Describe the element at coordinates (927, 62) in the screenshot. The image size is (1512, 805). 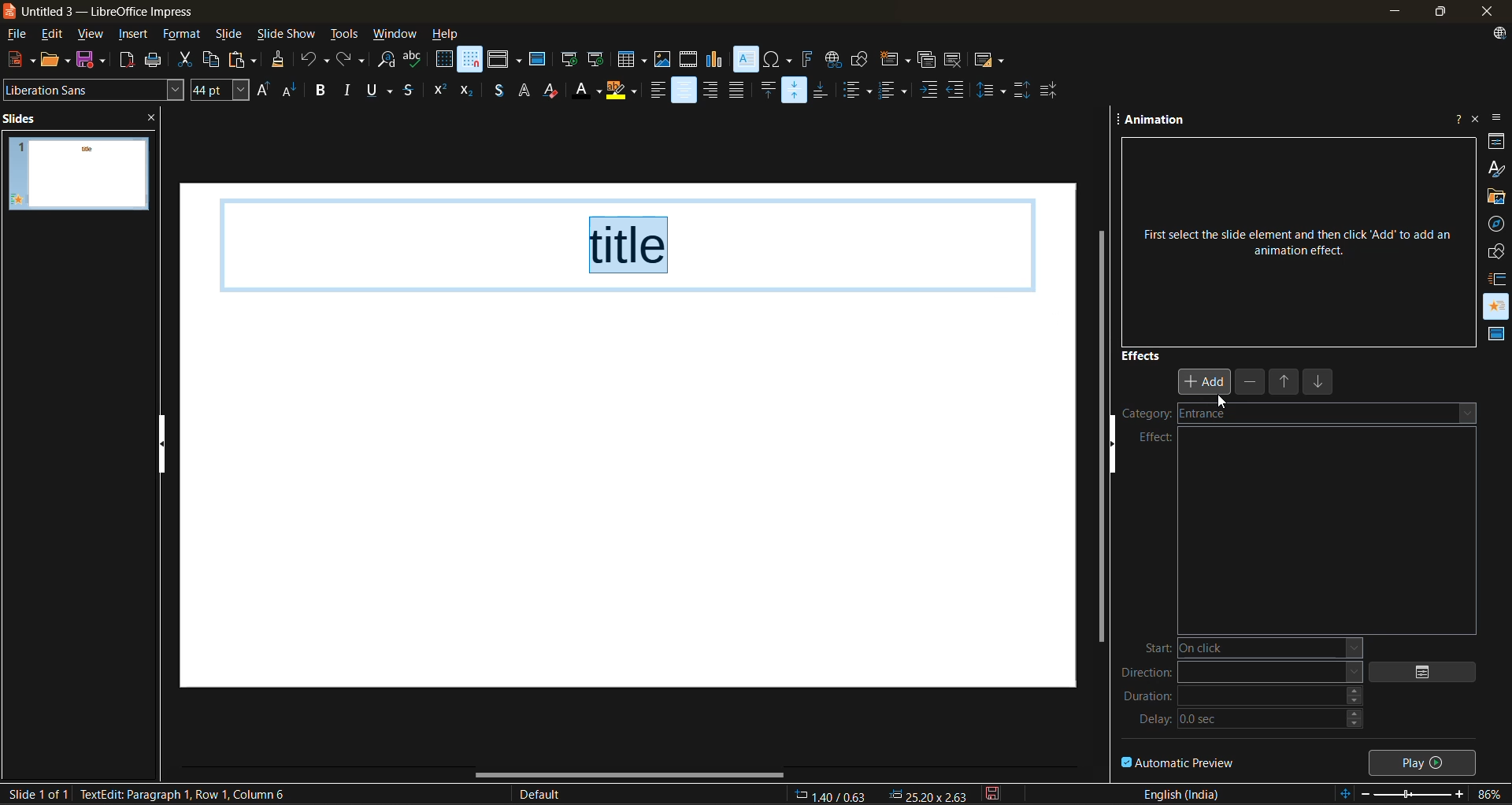
I see `duplicate slide` at that location.